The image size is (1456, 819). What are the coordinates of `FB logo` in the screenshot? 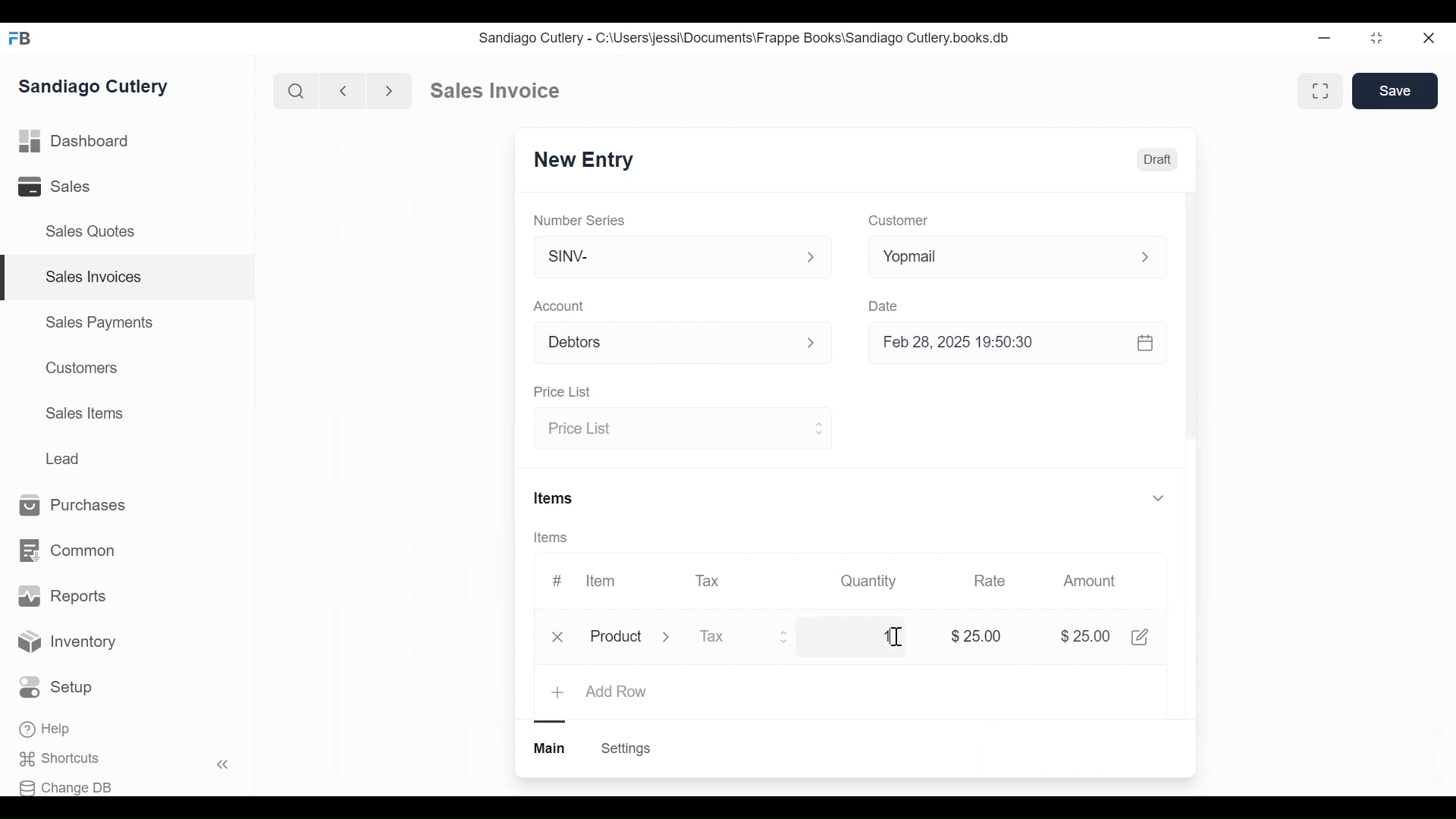 It's located at (20, 38).